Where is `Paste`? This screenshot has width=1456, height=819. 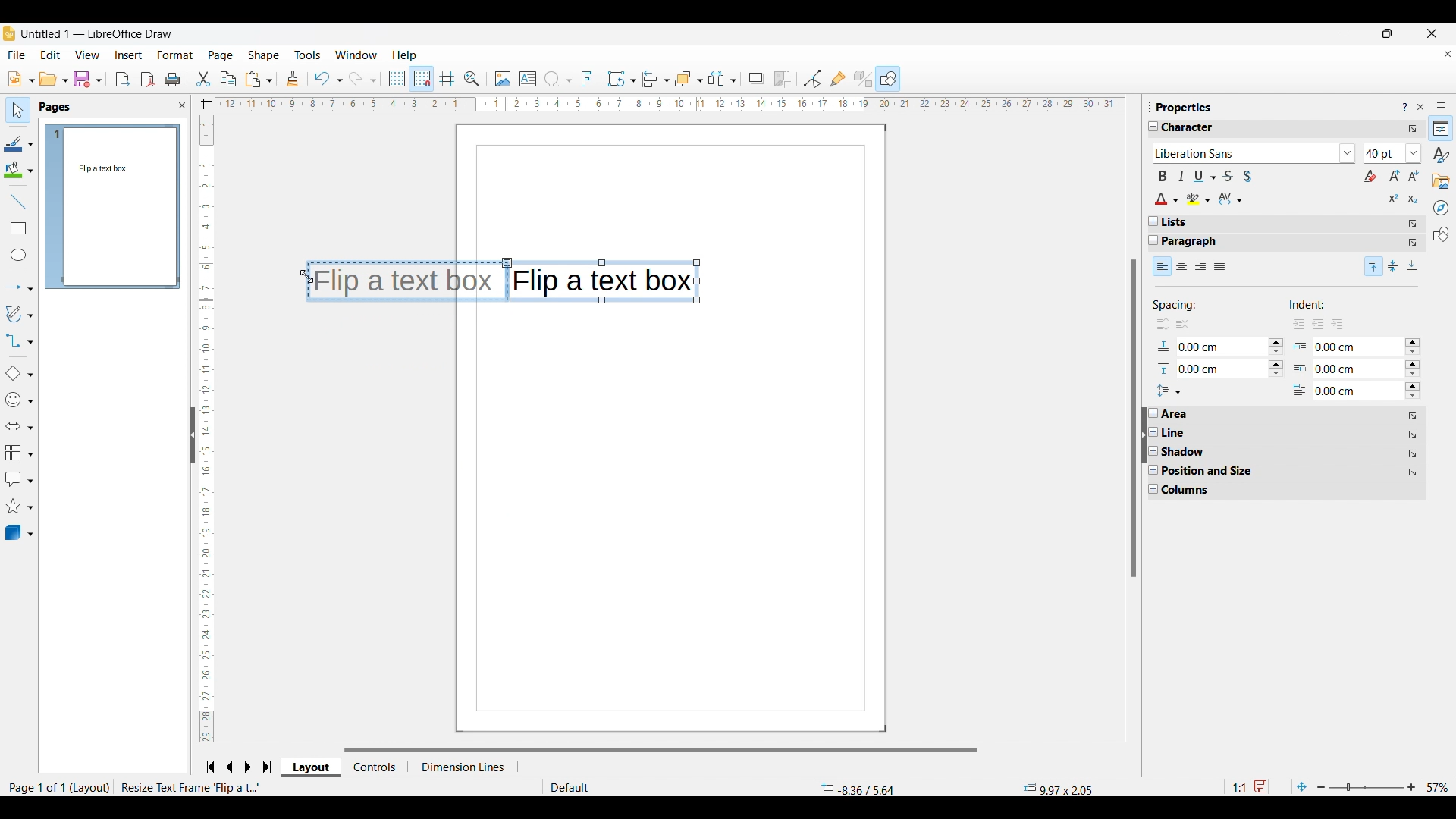 Paste is located at coordinates (259, 80).